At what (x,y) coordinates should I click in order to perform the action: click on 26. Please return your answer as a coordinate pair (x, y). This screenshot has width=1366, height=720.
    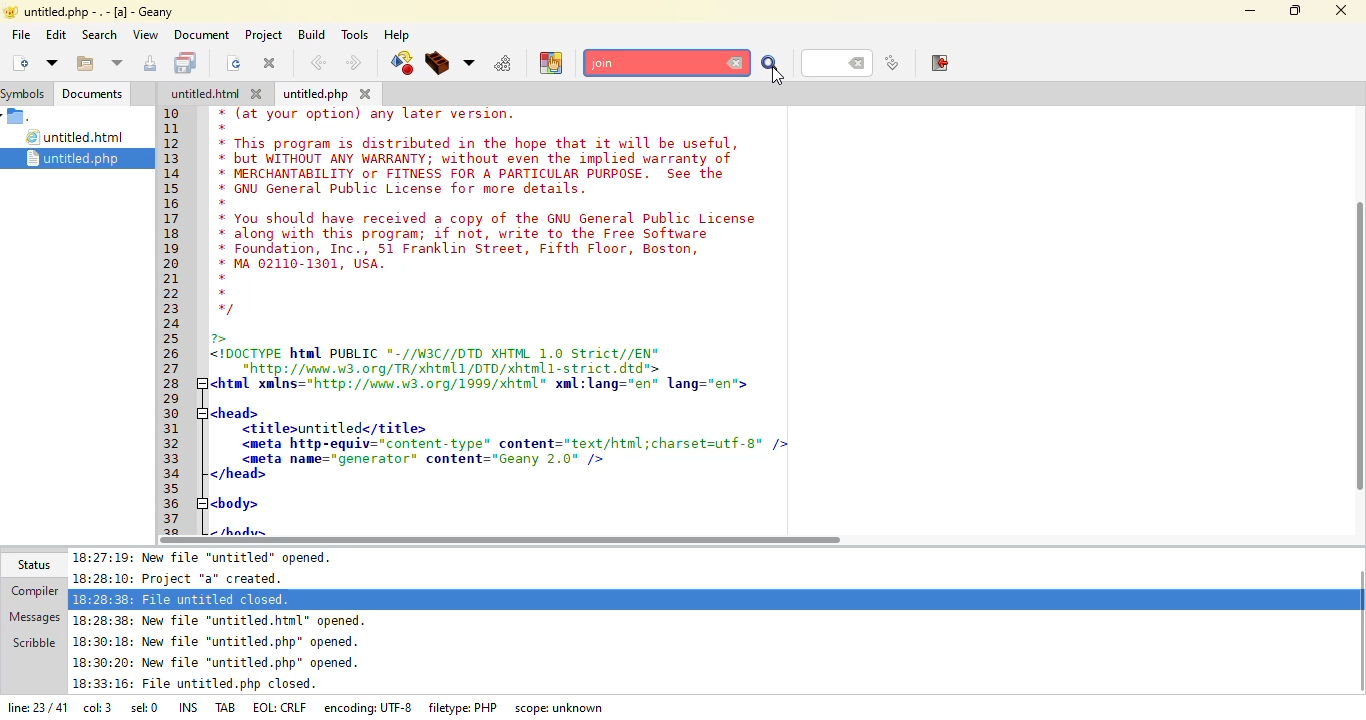
    Looking at the image, I should click on (173, 354).